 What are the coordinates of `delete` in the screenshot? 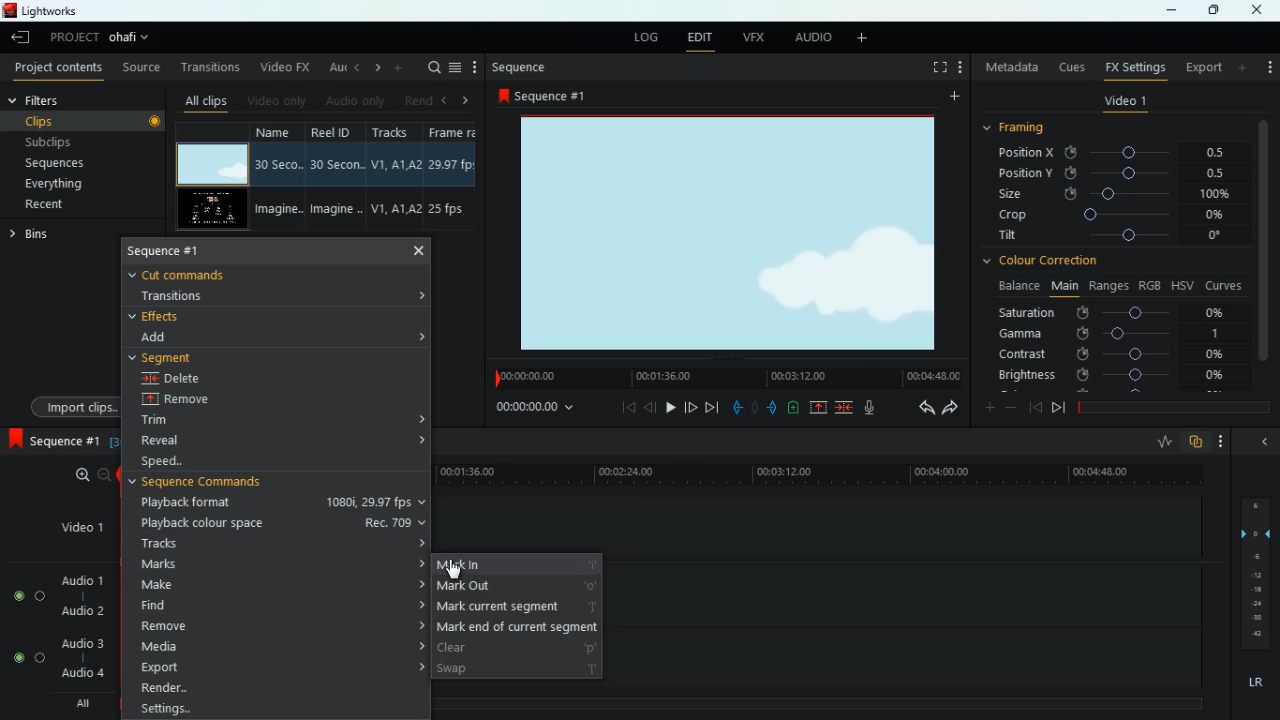 It's located at (172, 380).